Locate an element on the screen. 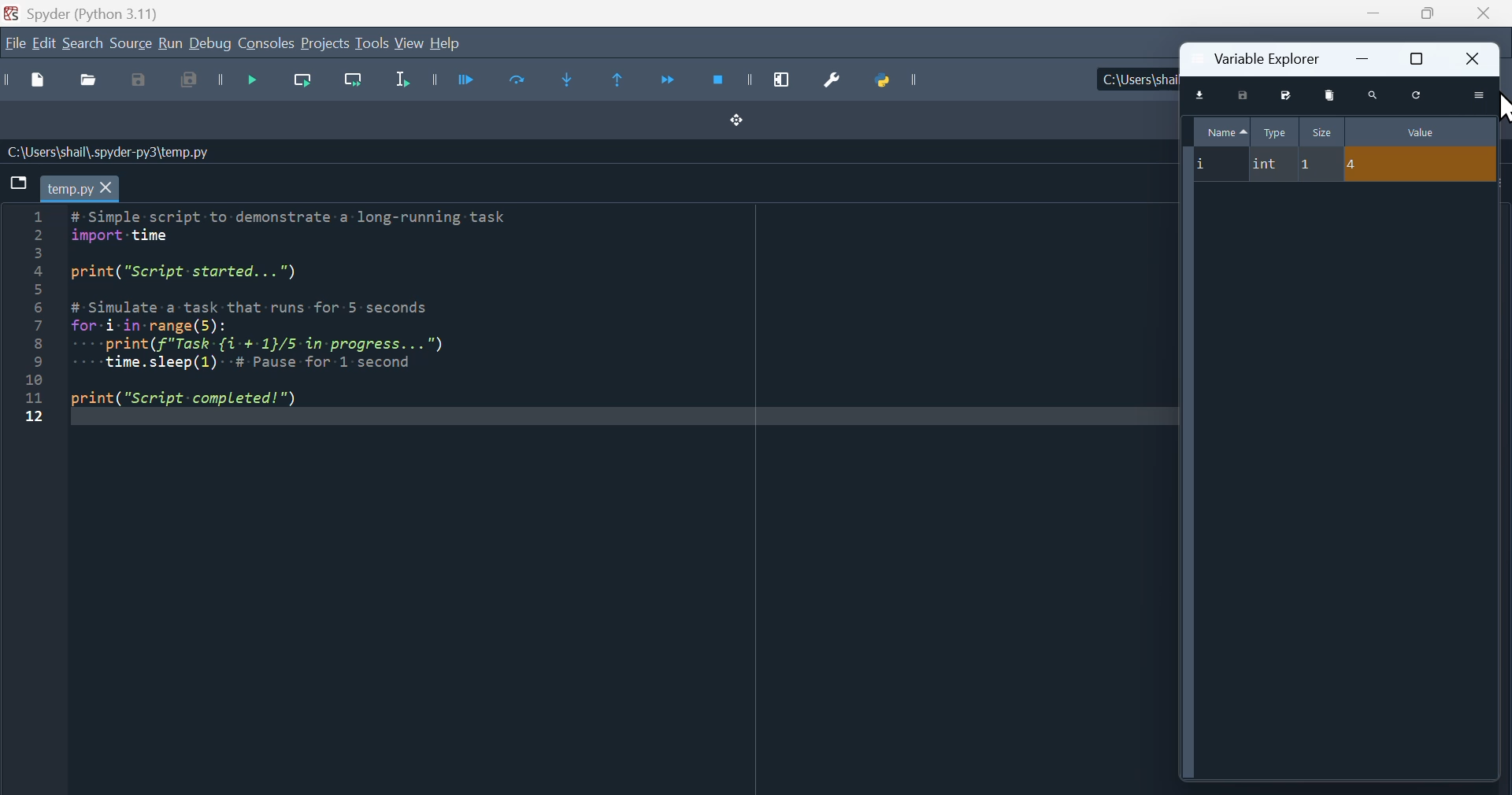 This screenshot has height=795, width=1512. Value is located at coordinates (1421, 131).